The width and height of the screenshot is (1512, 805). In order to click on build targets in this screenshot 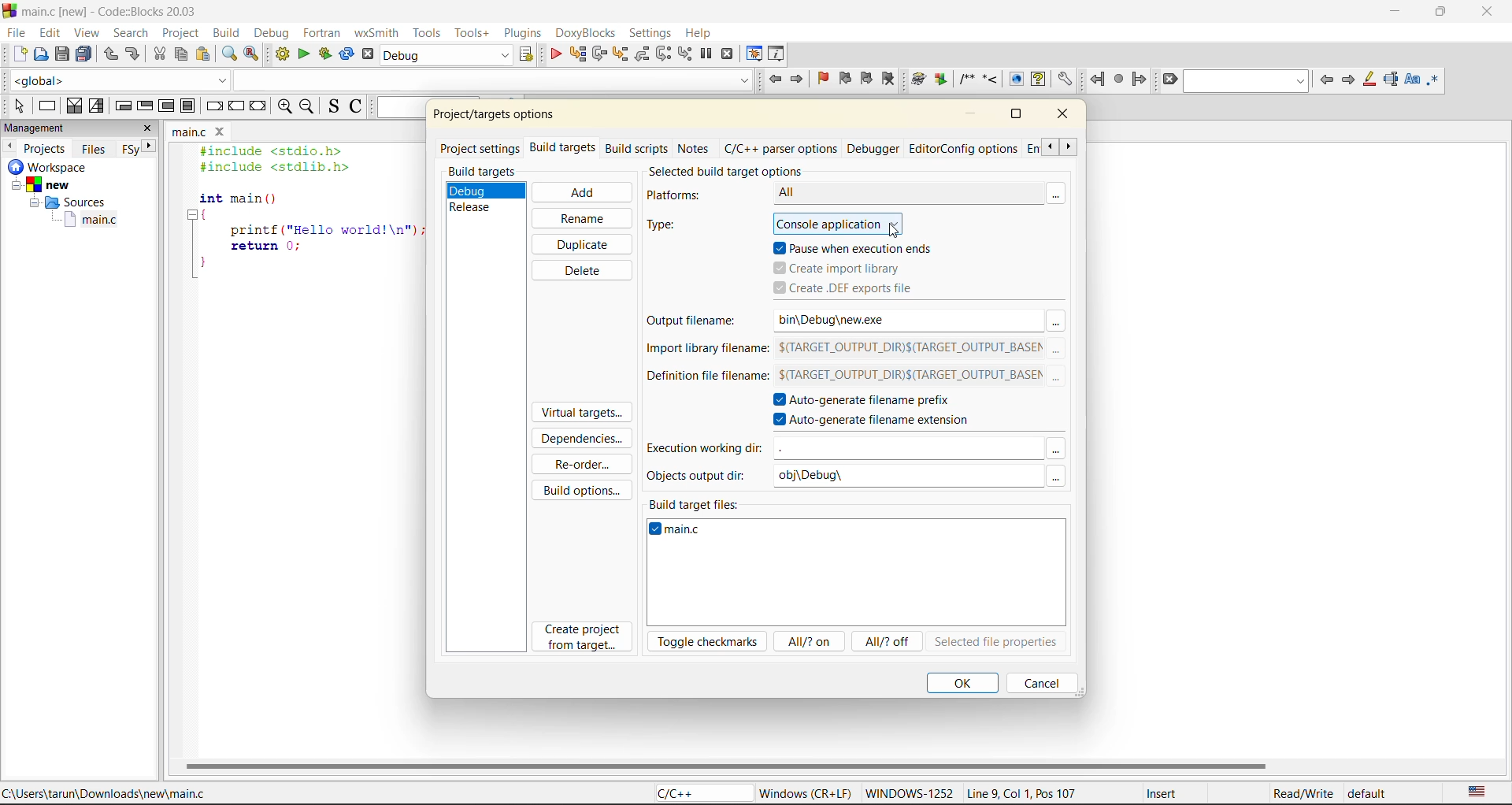, I will do `click(482, 171)`.